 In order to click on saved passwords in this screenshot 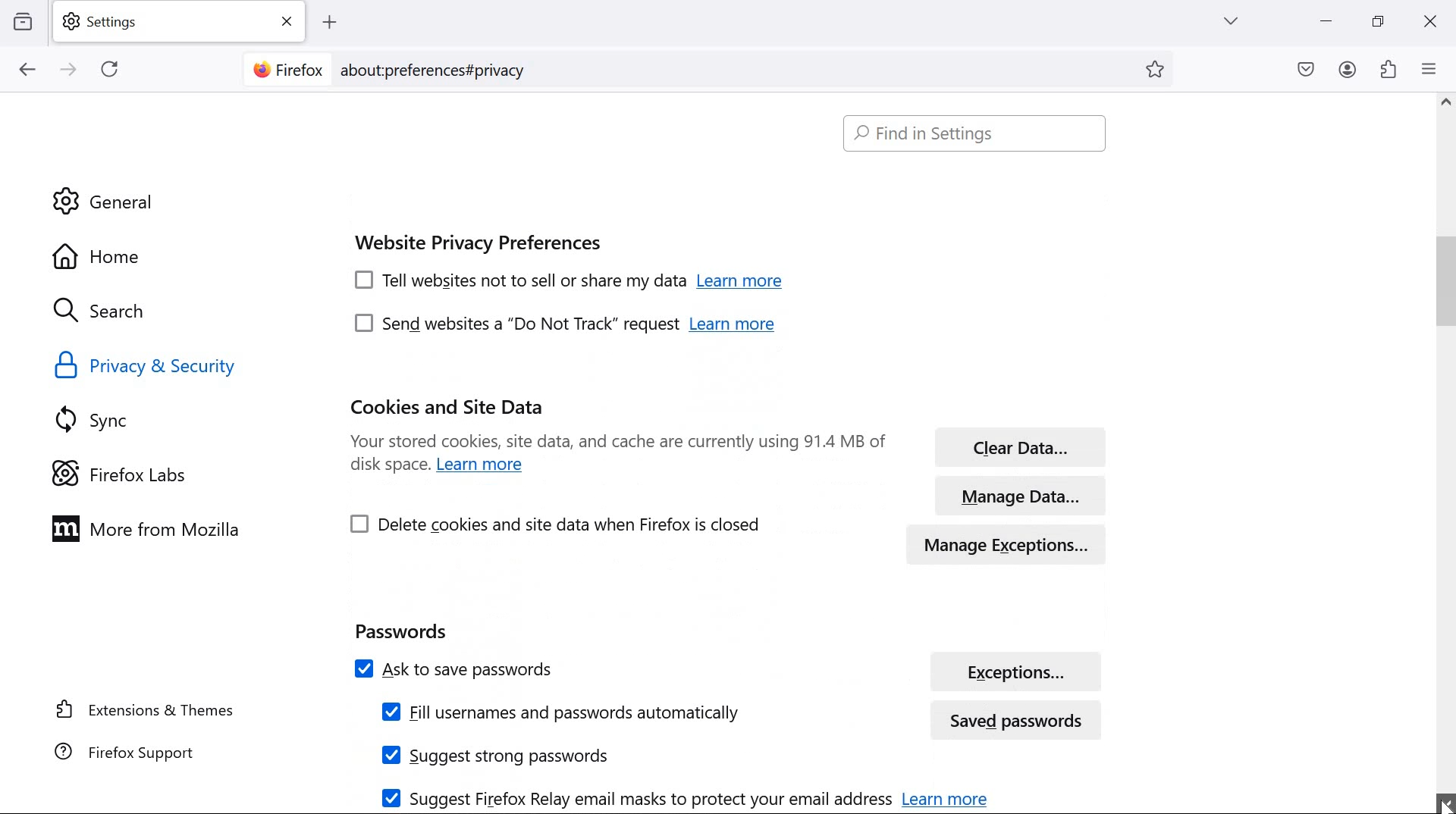, I will do `click(1021, 722)`.